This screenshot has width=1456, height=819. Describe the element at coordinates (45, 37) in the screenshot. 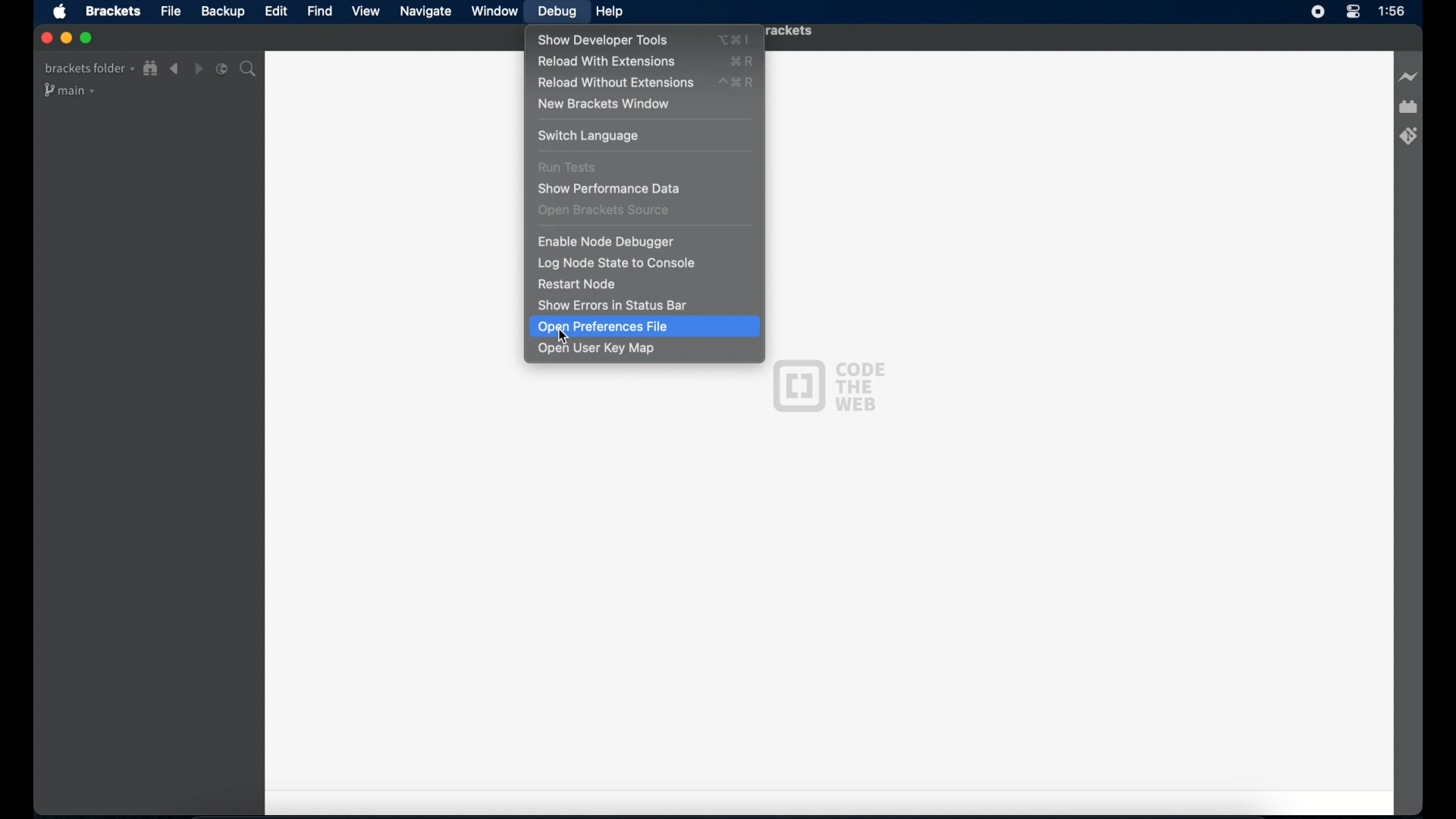

I see `close` at that location.